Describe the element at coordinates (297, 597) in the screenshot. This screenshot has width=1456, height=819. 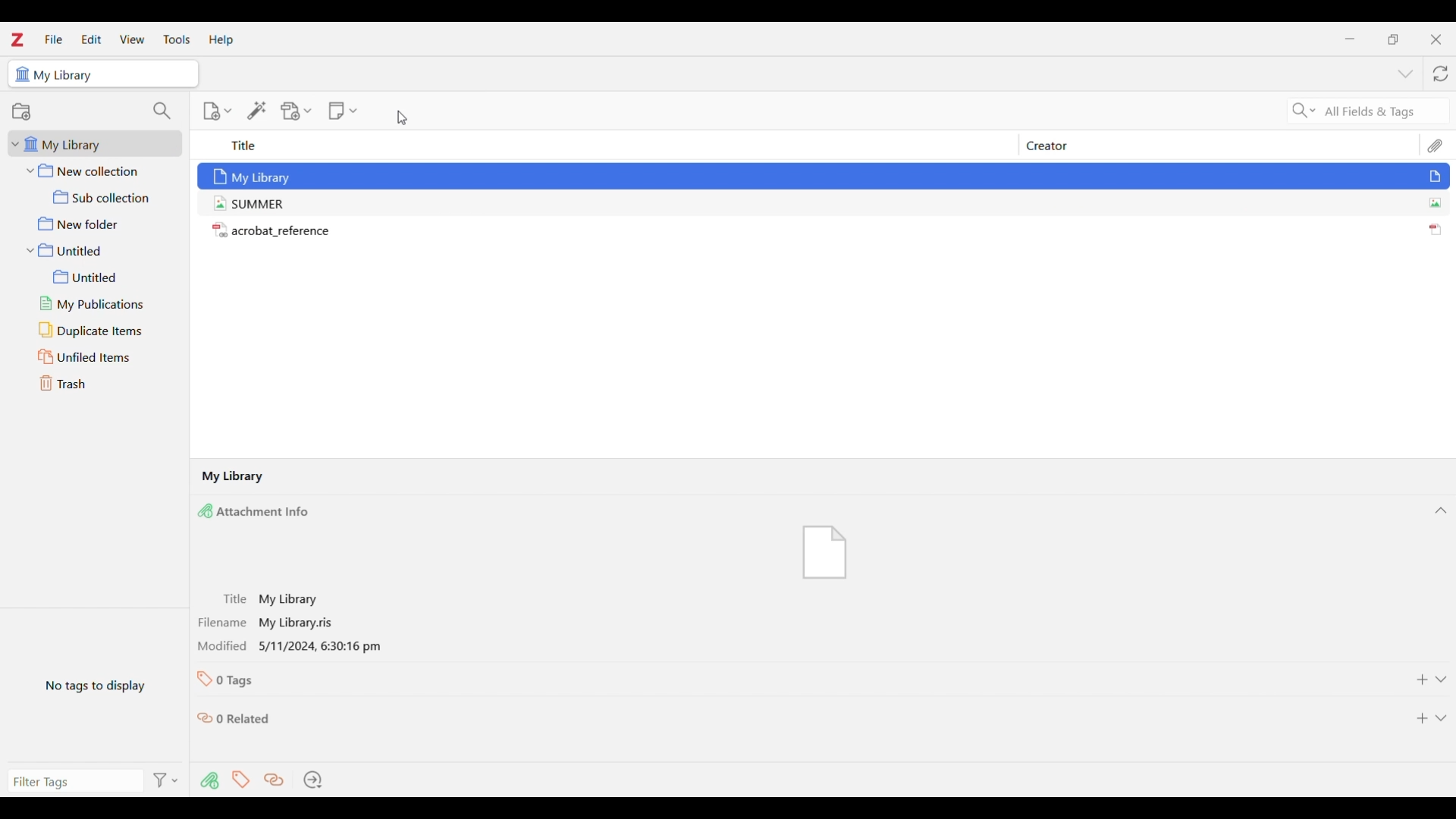
I see `Title: My library` at that location.